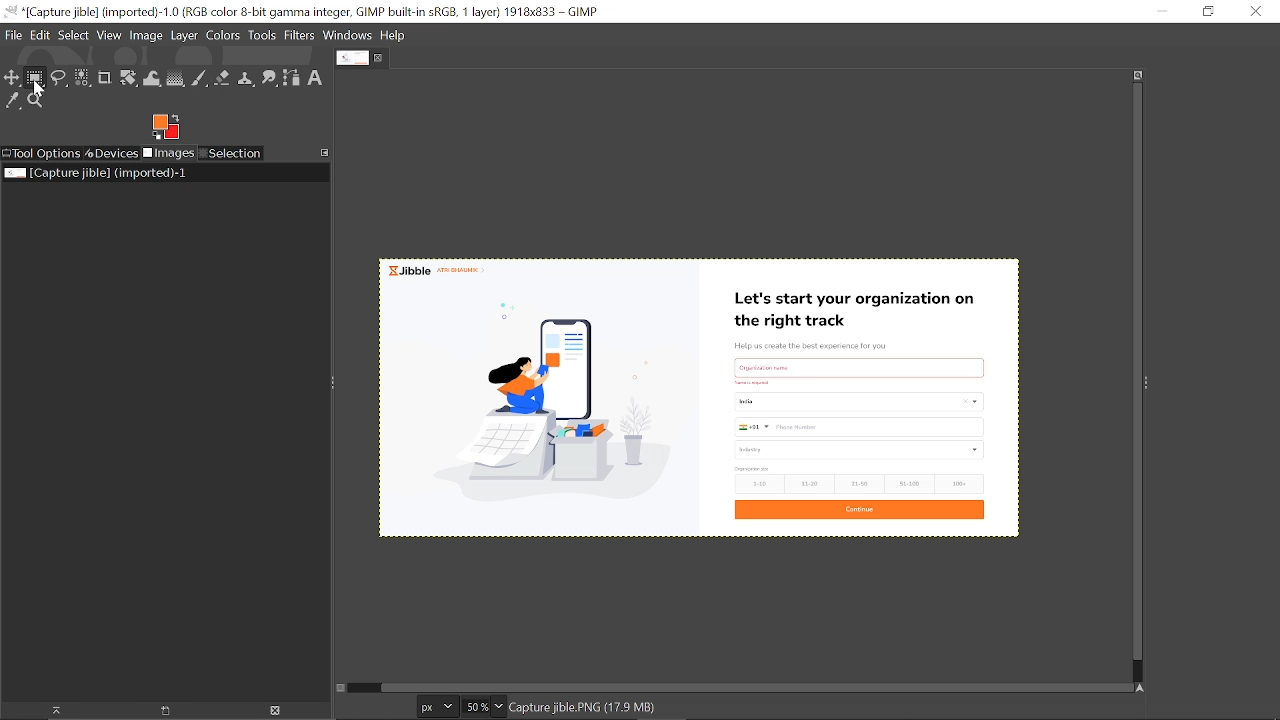  I want to click on Wrap text tool, so click(153, 79).